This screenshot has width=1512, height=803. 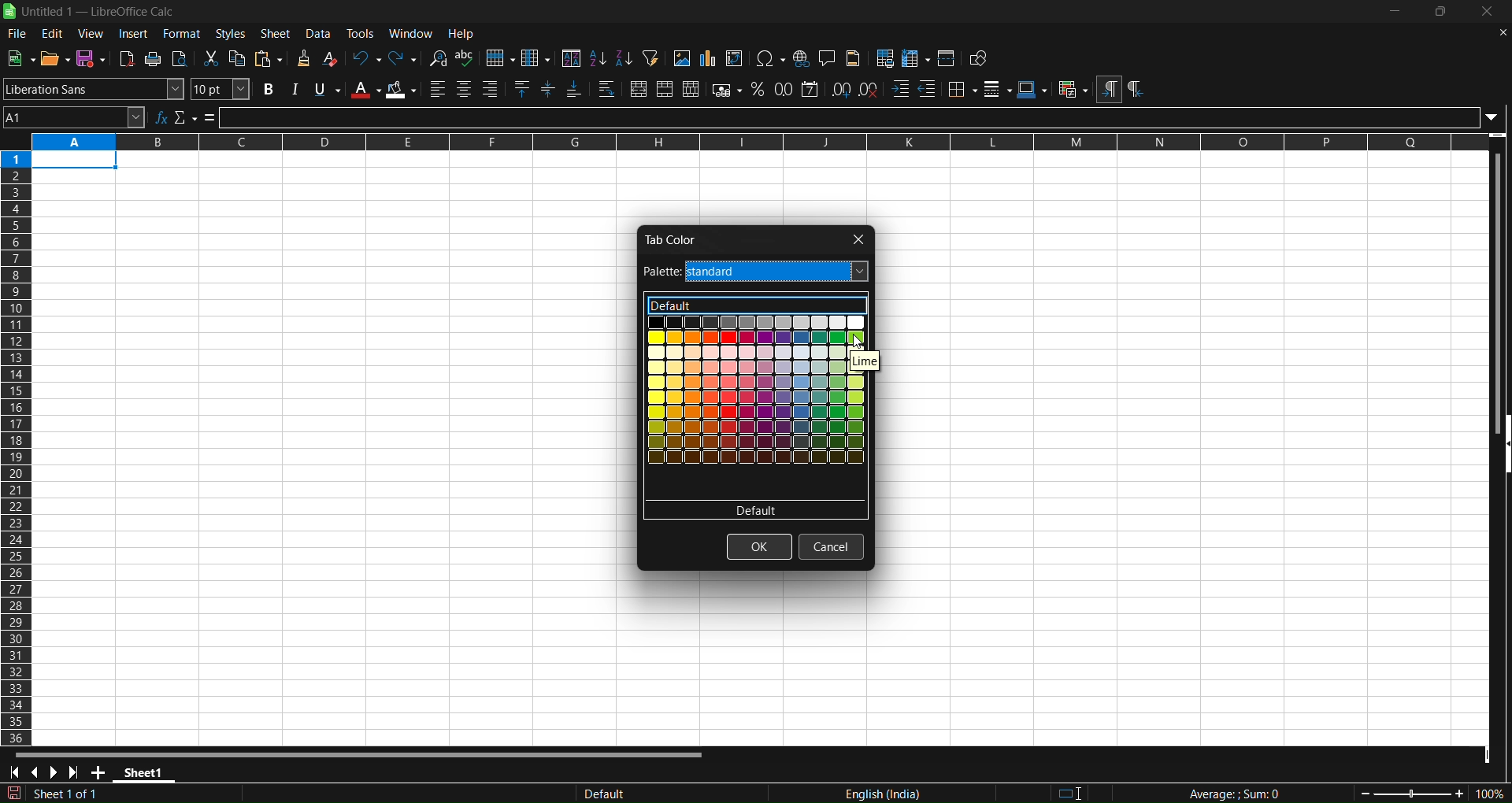 I want to click on define print area, so click(x=886, y=58).